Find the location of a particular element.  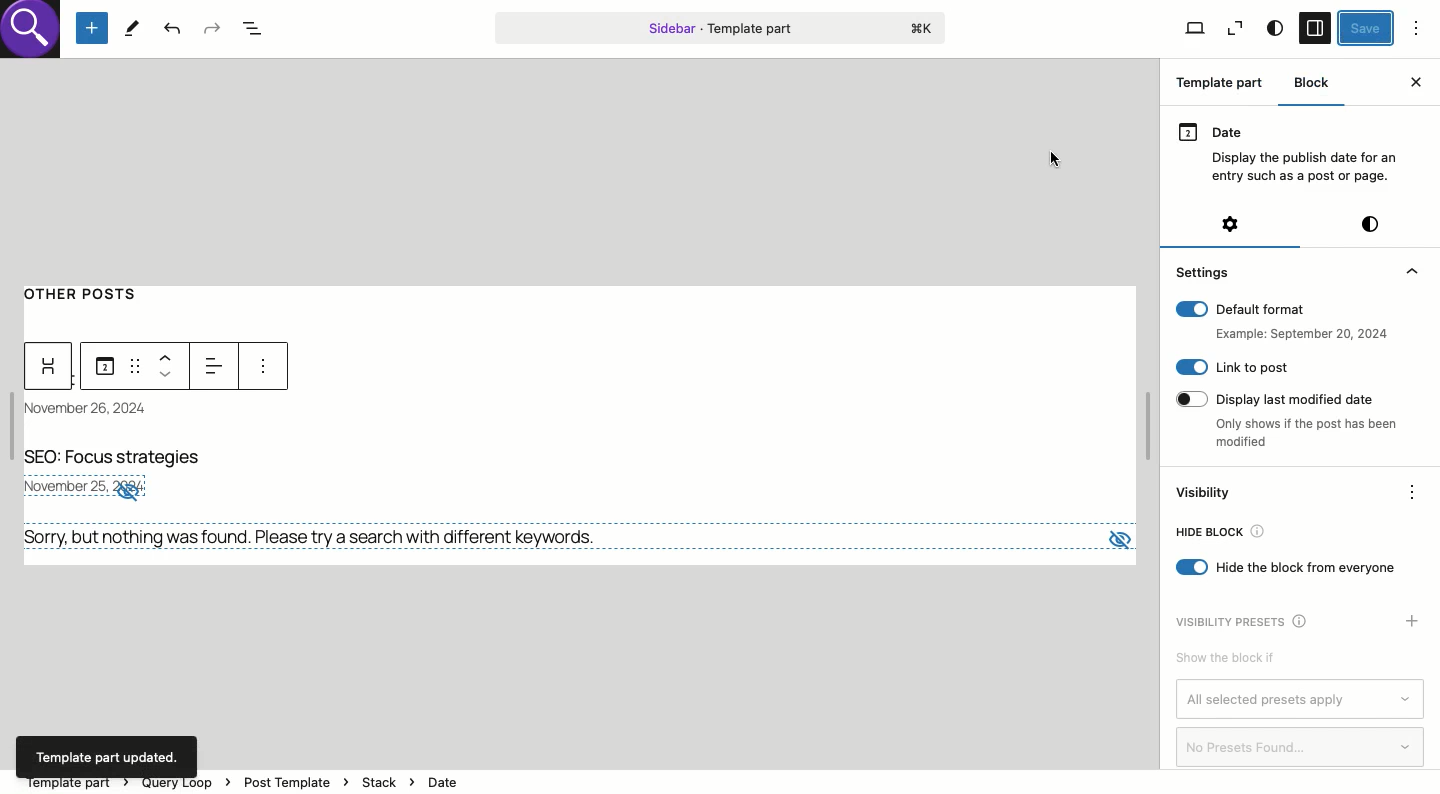

collapse is located at coordinates (1410, 271).